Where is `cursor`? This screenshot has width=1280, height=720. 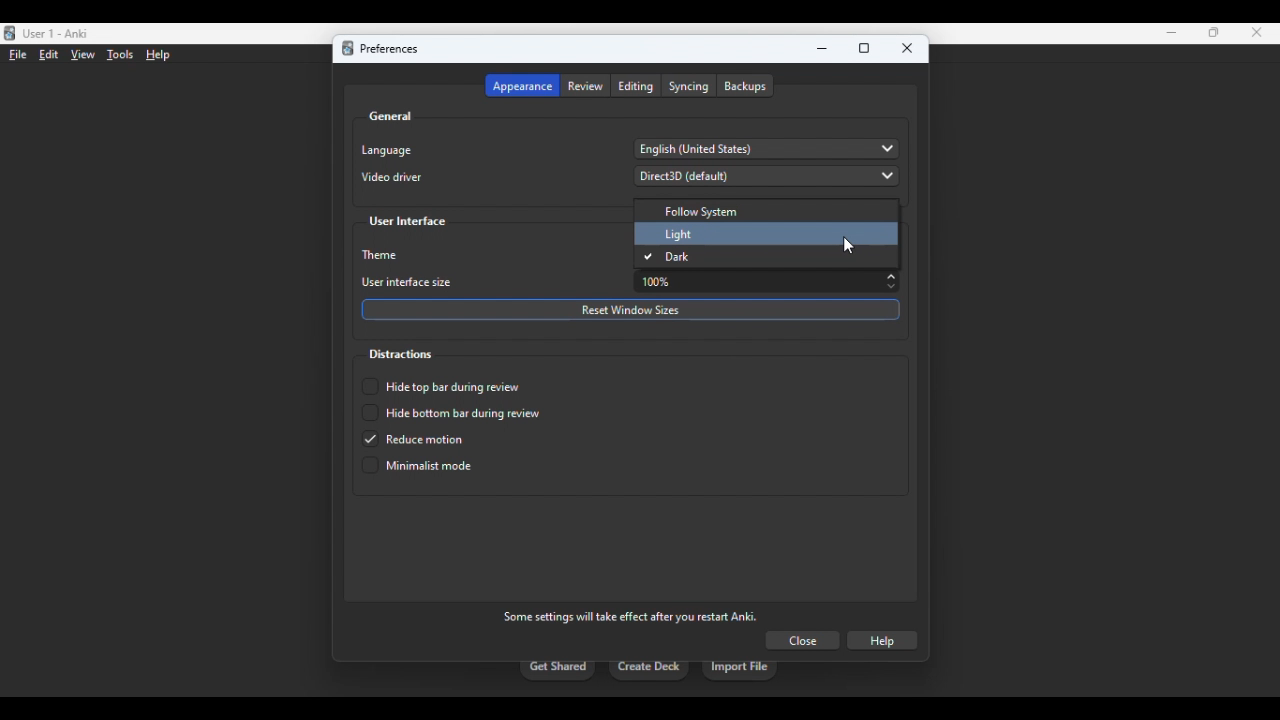
cursor is located at coordinates (848, 246).